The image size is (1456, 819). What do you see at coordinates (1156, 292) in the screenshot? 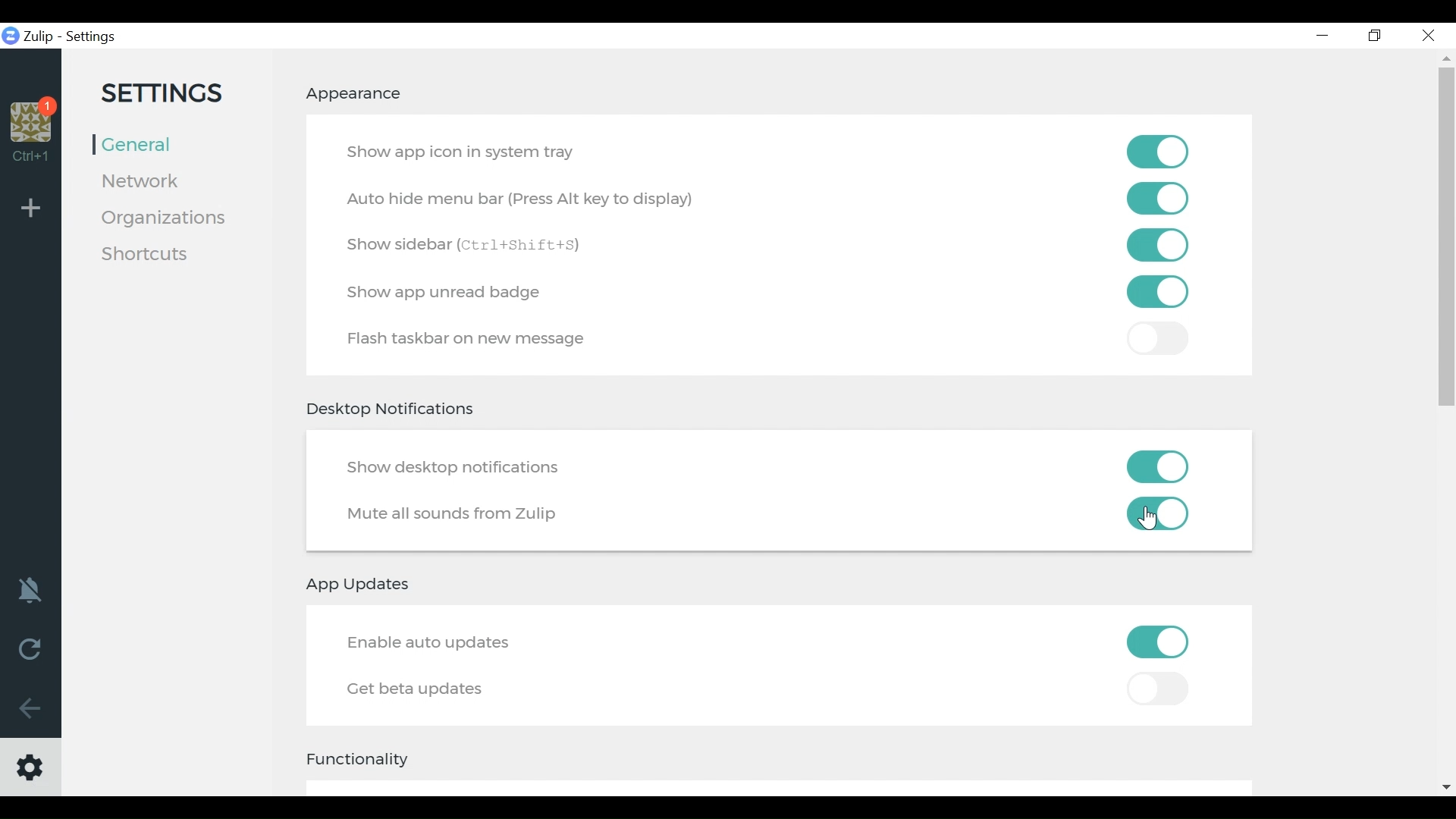
I see `Toggle on /off Flash taskbar on a new message` at bounding box center [1156, 292].